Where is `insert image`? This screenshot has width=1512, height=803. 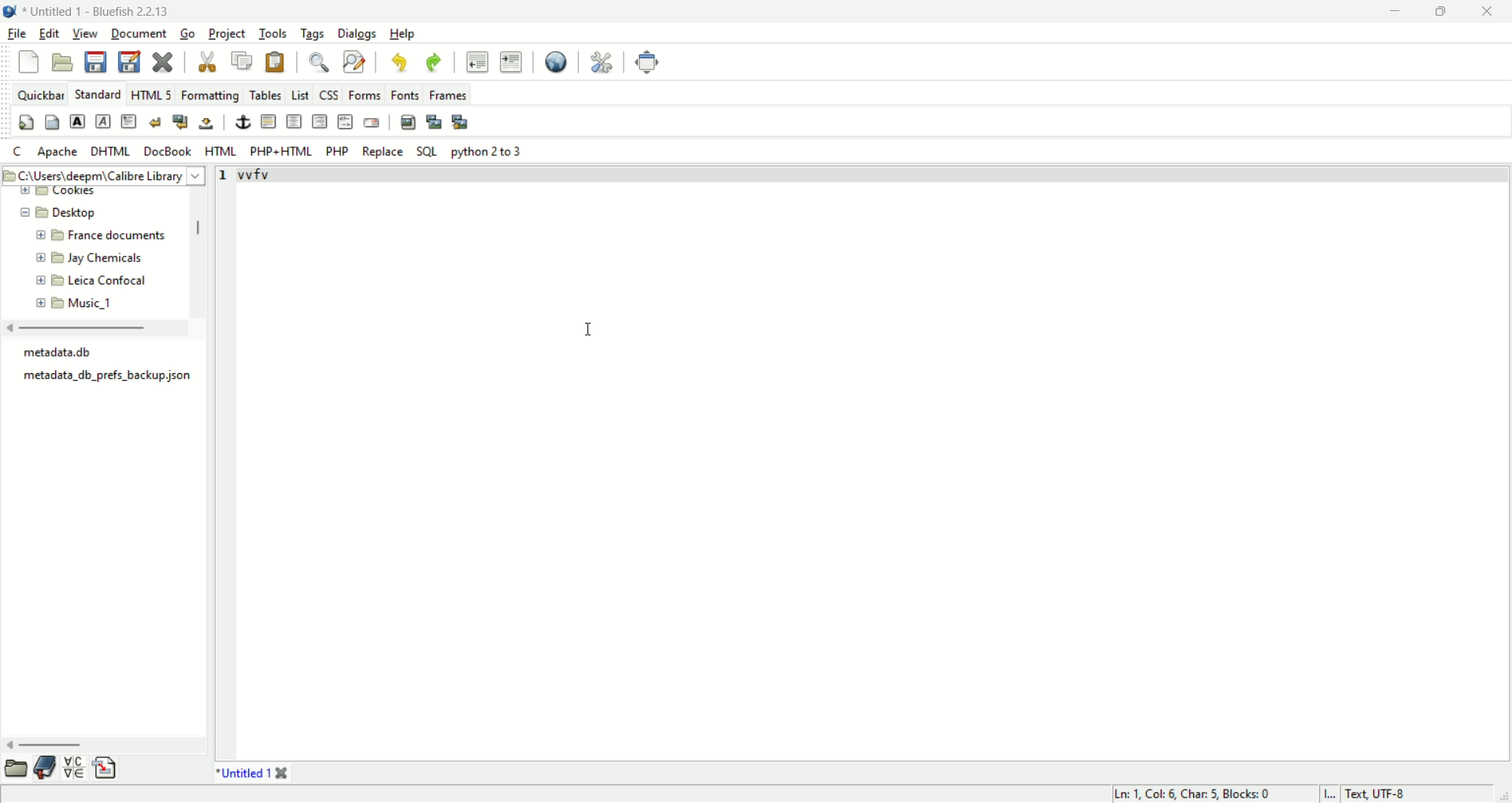
insert image is located at coordinates (407, 120).